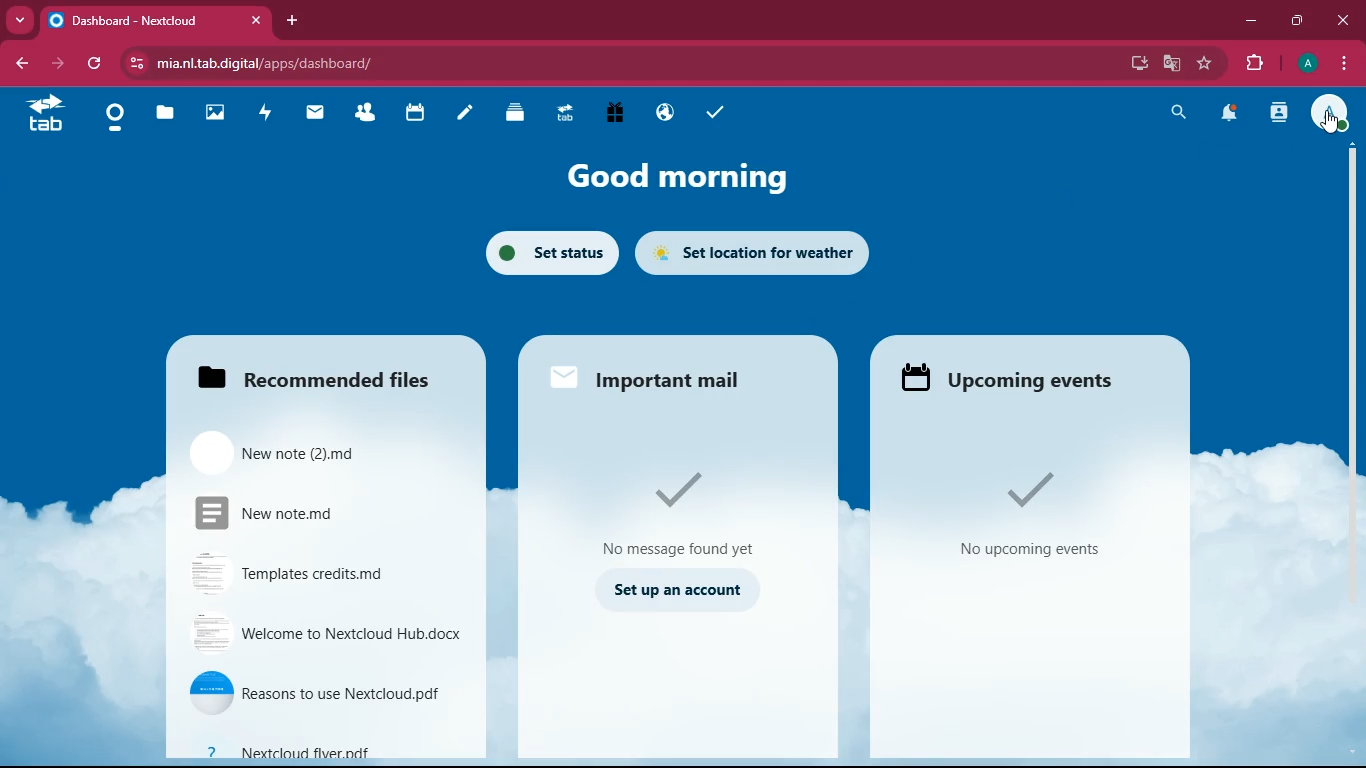 The height and width of the screenshot is (768, 1366). Describe the element at coordinates (115, 122) in the screenshot. I see `home` at that location.